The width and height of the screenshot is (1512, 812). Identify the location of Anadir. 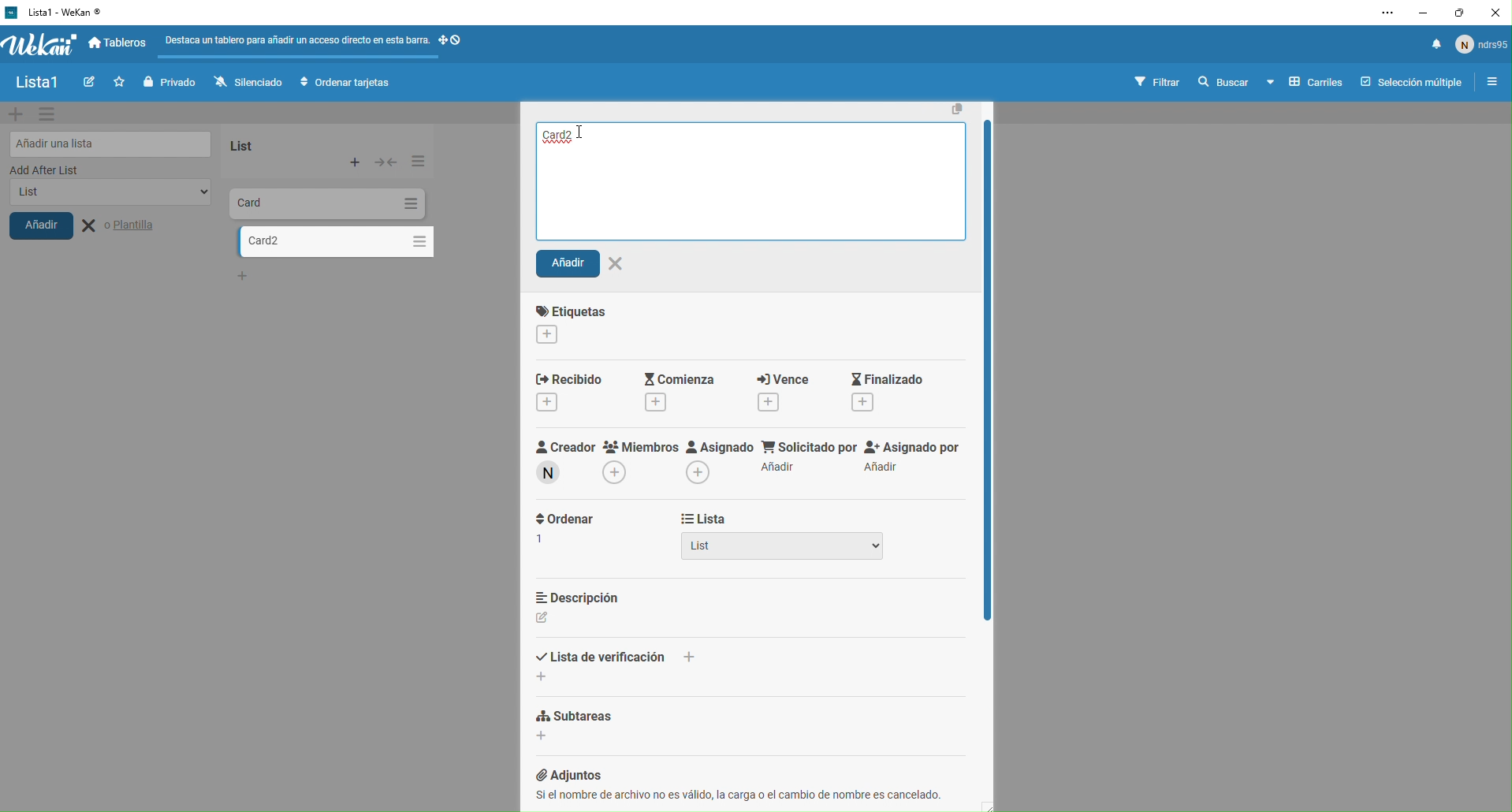
(587, 266).